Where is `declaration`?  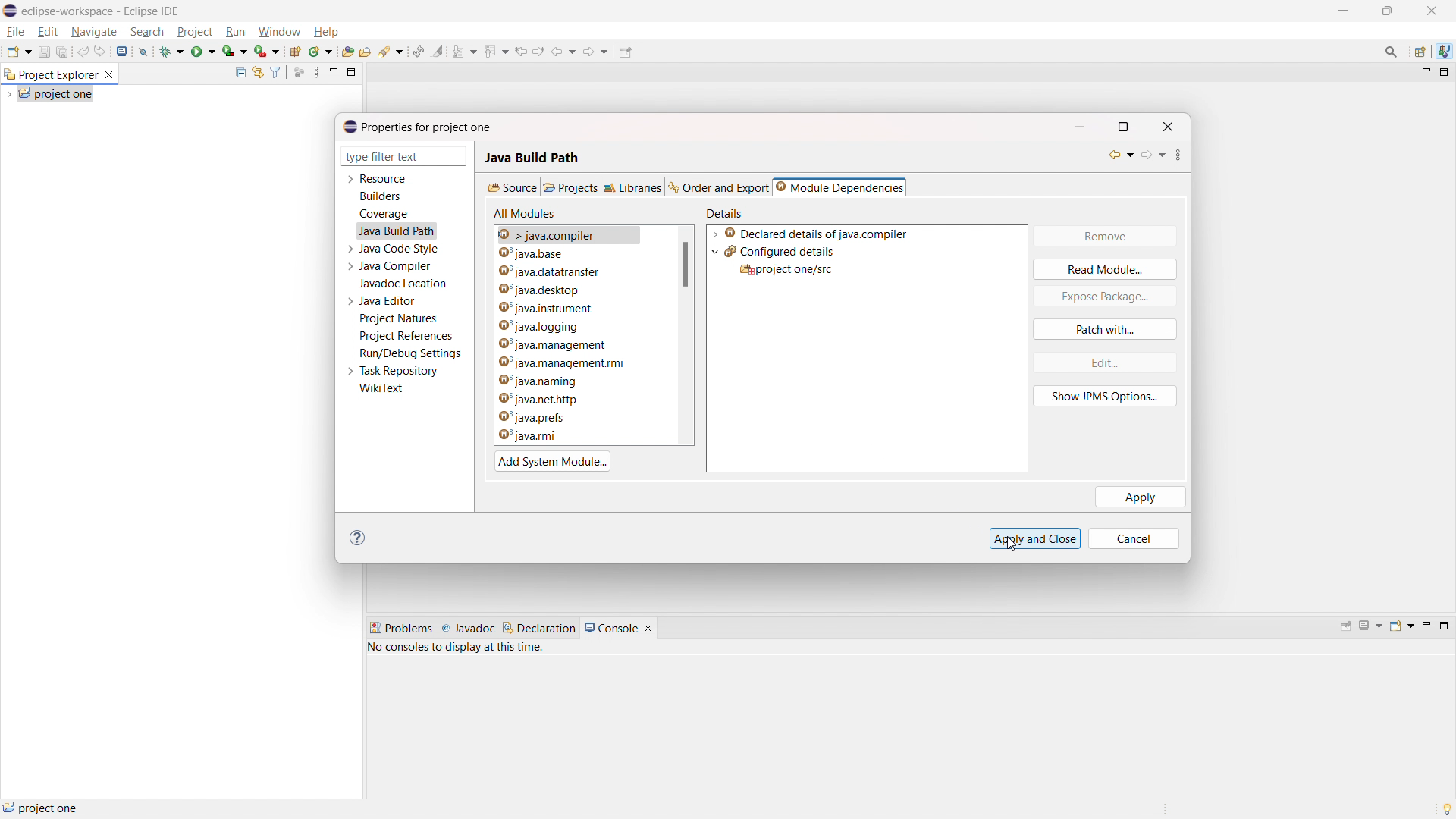
declaration is located at coordinates (539, 628).